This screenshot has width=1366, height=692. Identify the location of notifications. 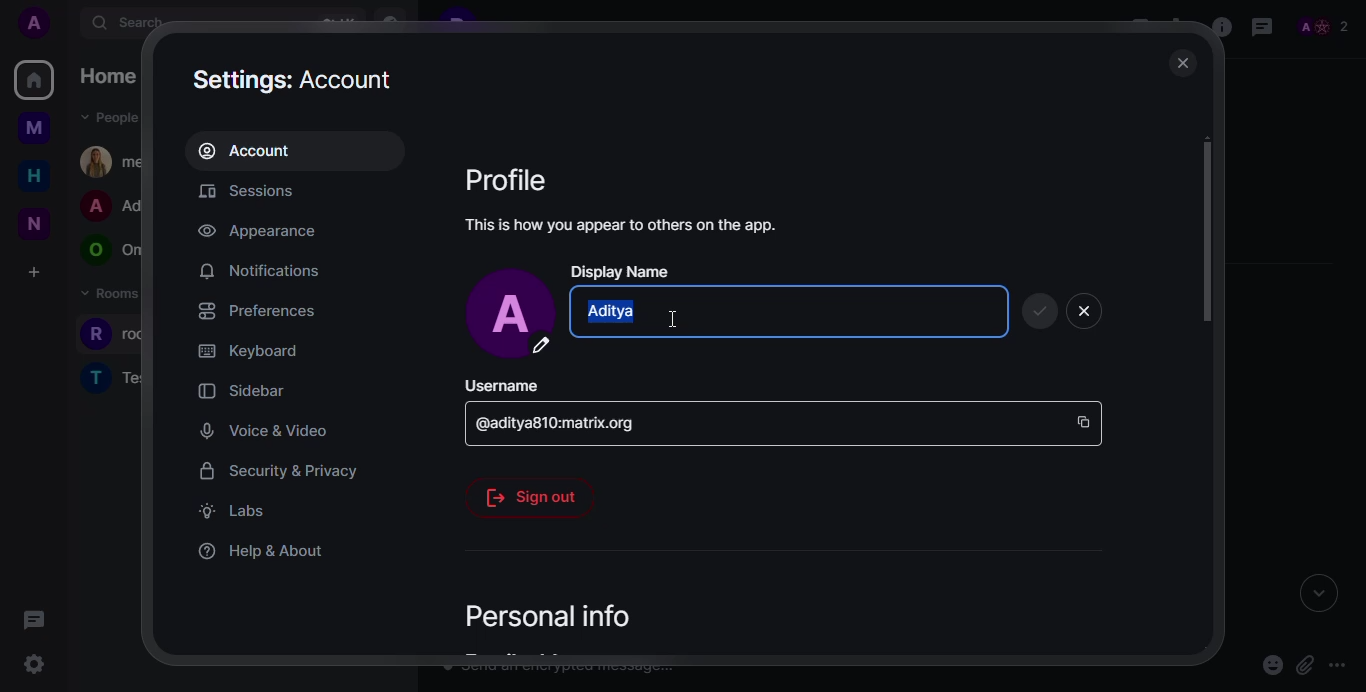
(261, 269).